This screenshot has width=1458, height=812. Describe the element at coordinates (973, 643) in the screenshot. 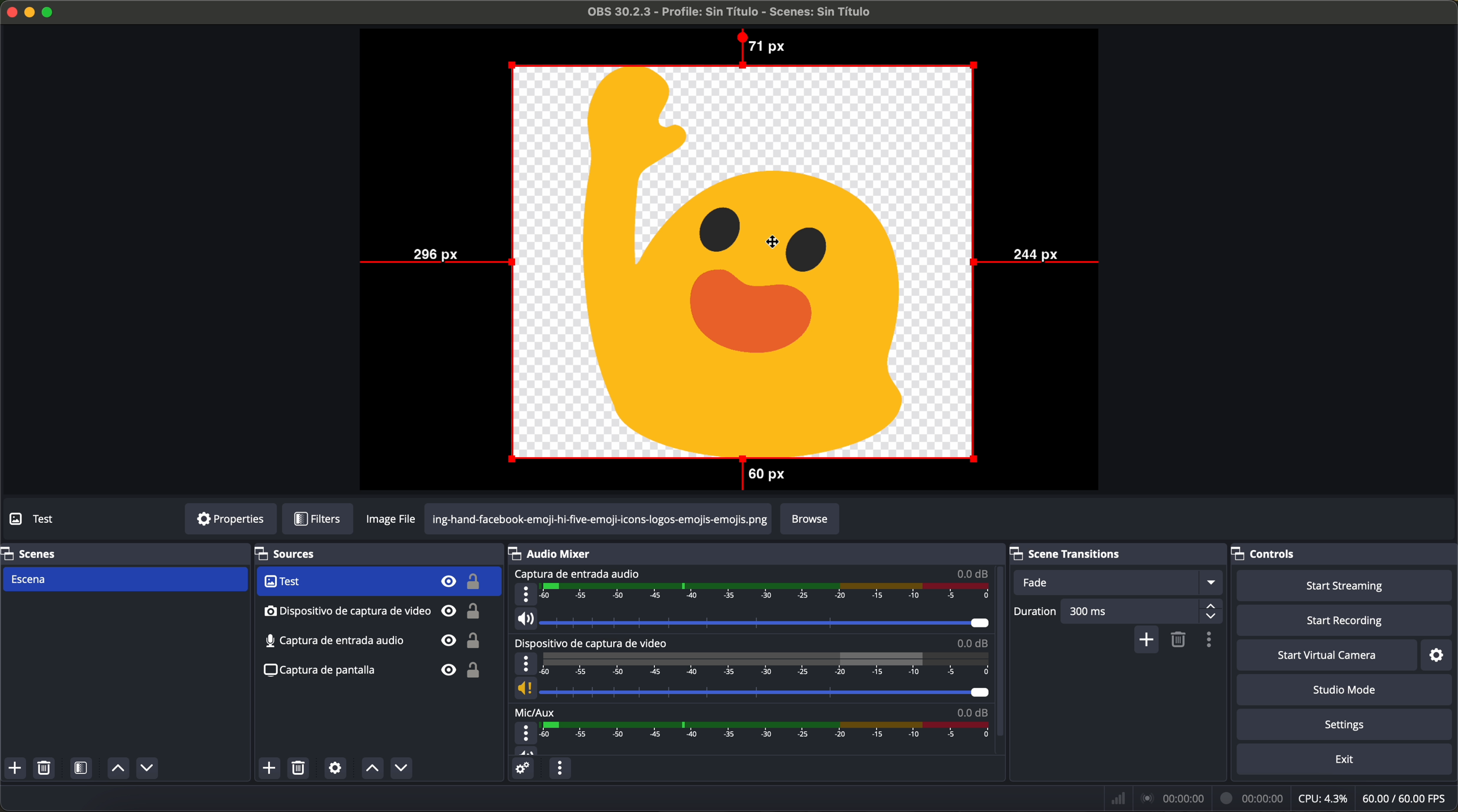

I see `0.0 dB` at that location.